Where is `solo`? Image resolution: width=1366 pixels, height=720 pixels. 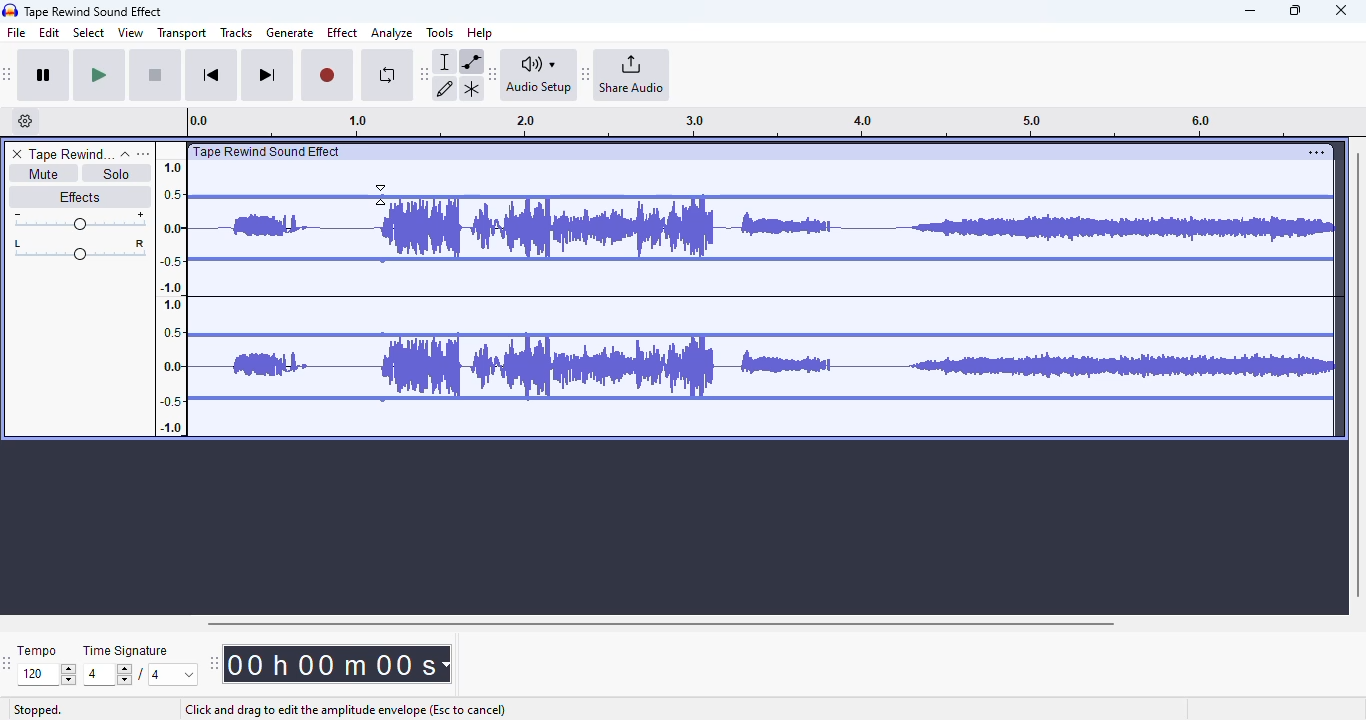 solo is located at coordinates (117, 173).